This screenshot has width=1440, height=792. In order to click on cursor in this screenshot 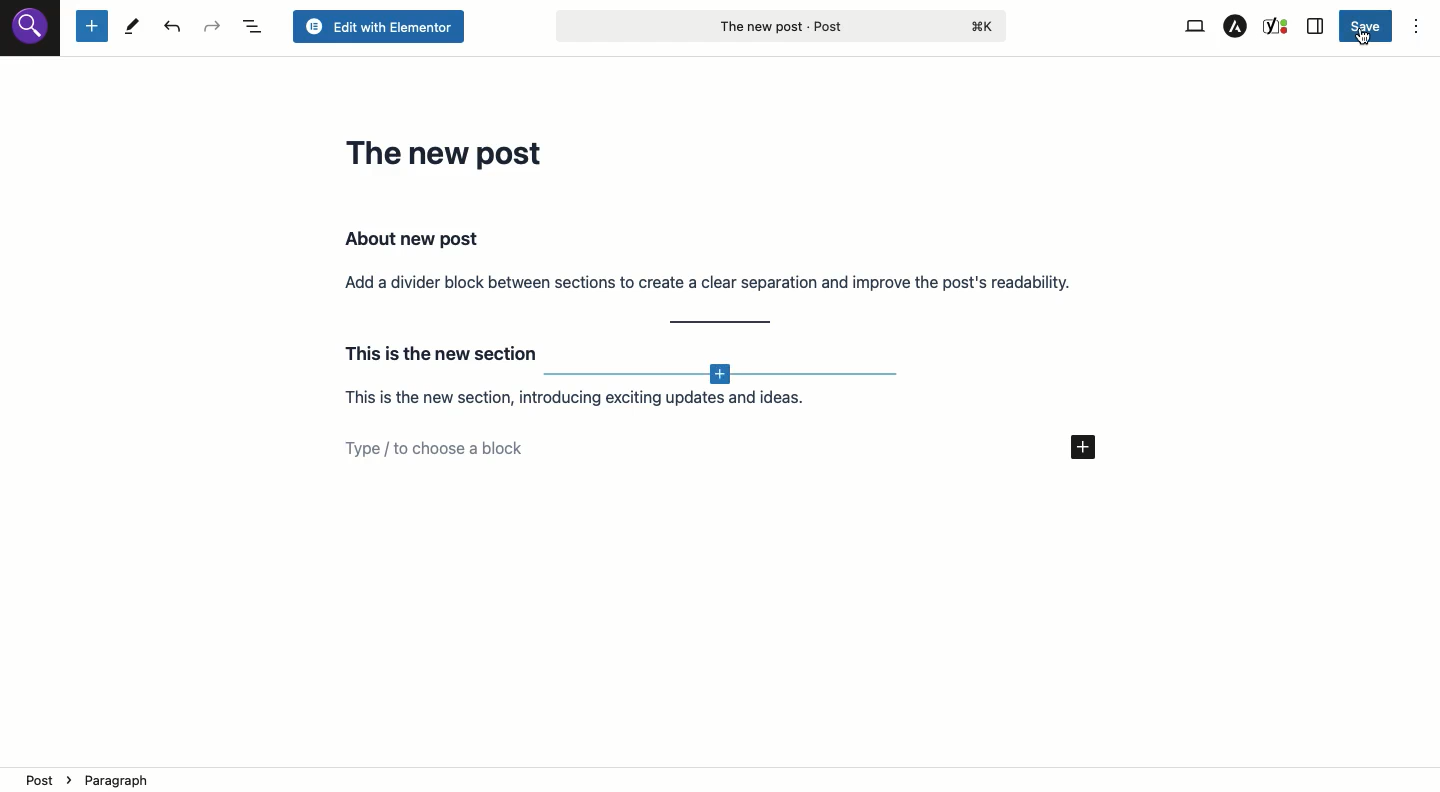, I will do `click(1363, 37)`.